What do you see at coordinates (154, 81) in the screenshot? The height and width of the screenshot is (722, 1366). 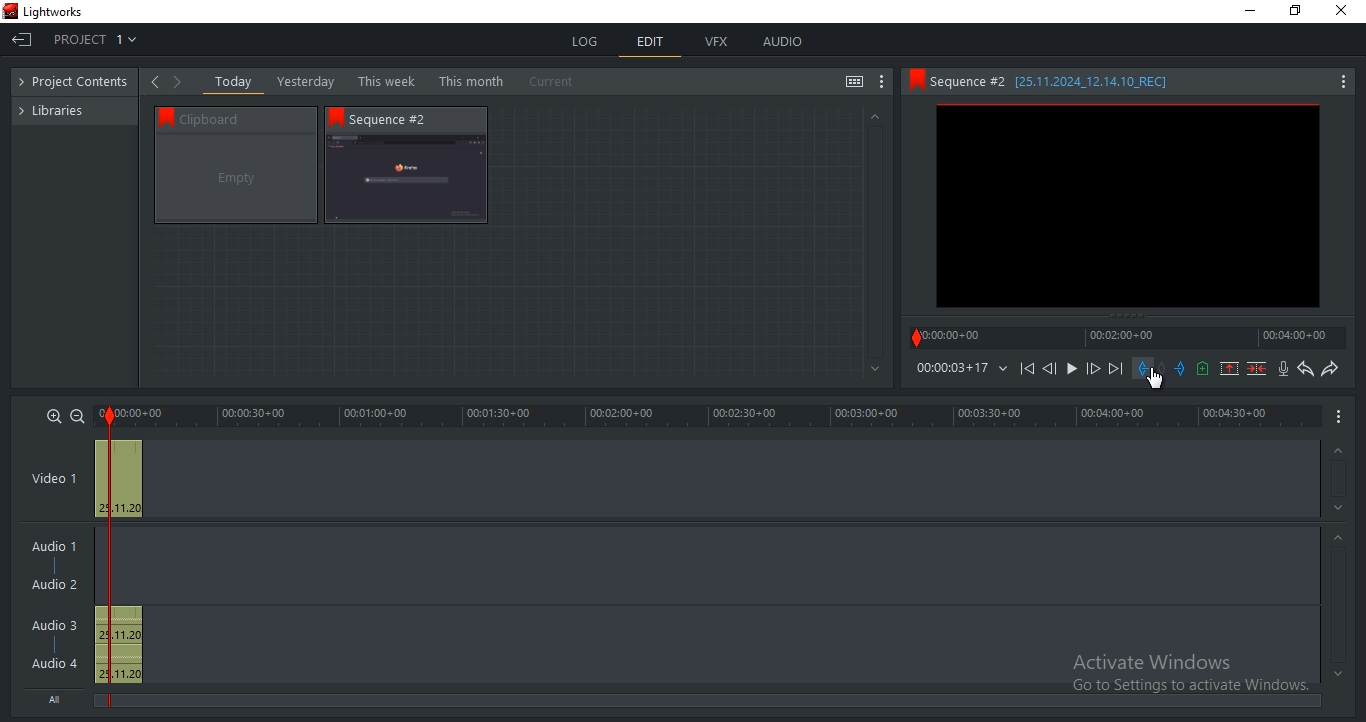 I see `Show options to the left` at bounding box center [154, 81].